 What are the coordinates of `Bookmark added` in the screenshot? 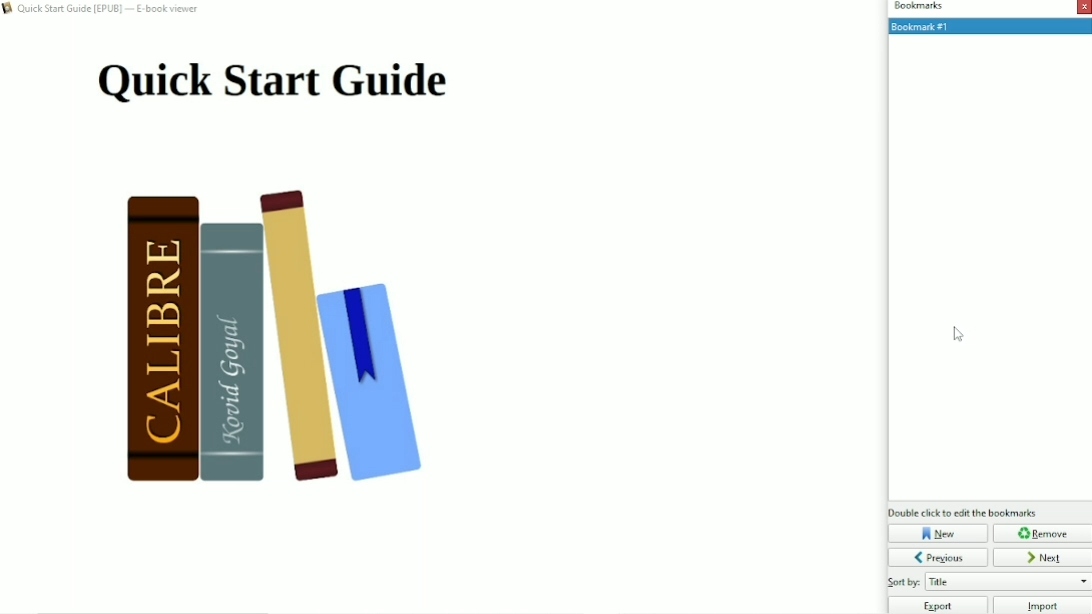 It's located at (988, 26).